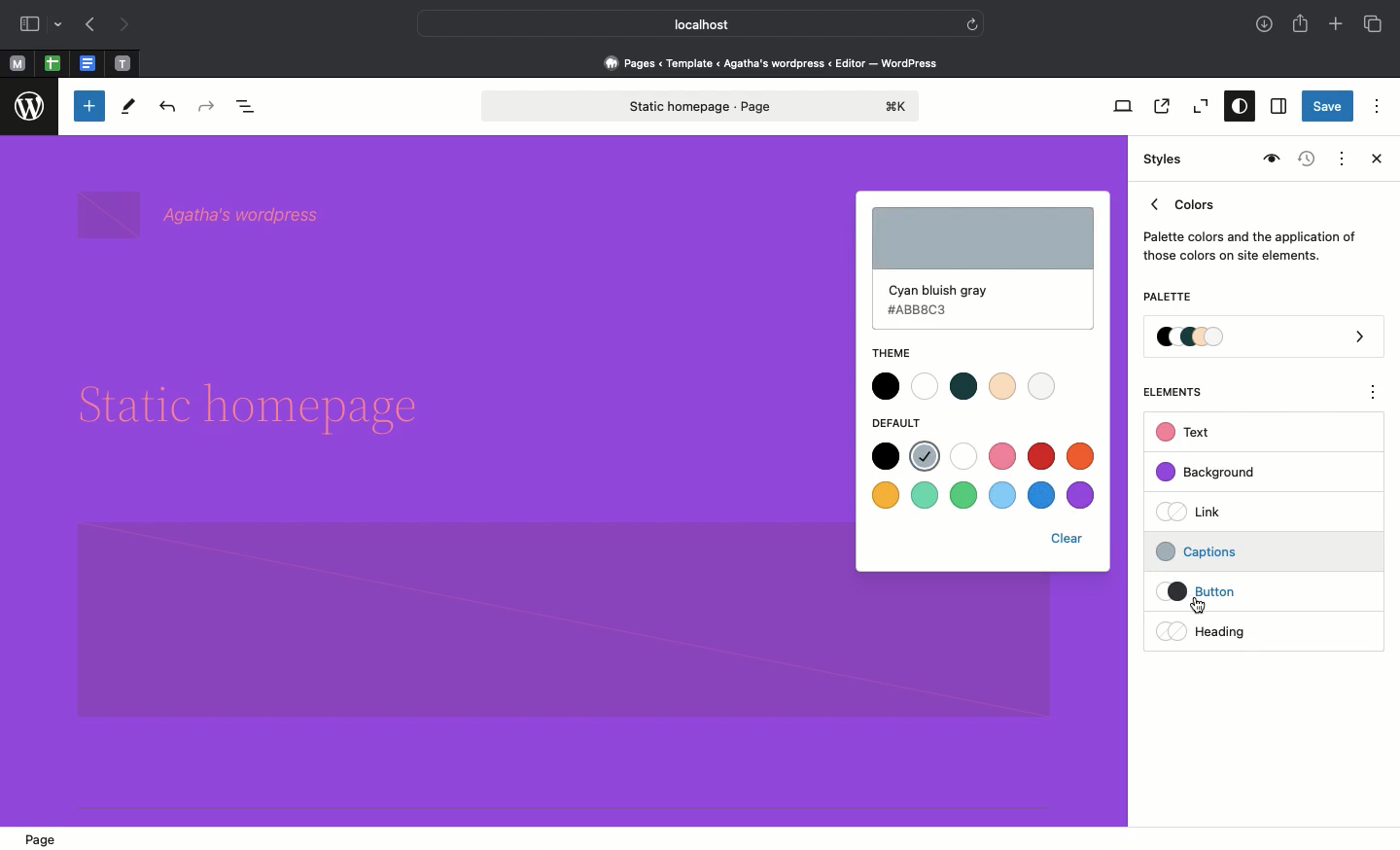 The image size is (1400, 850). Describe the element at coordinates (1375, 24) in the screenshot. I see `Tabs` at that location.